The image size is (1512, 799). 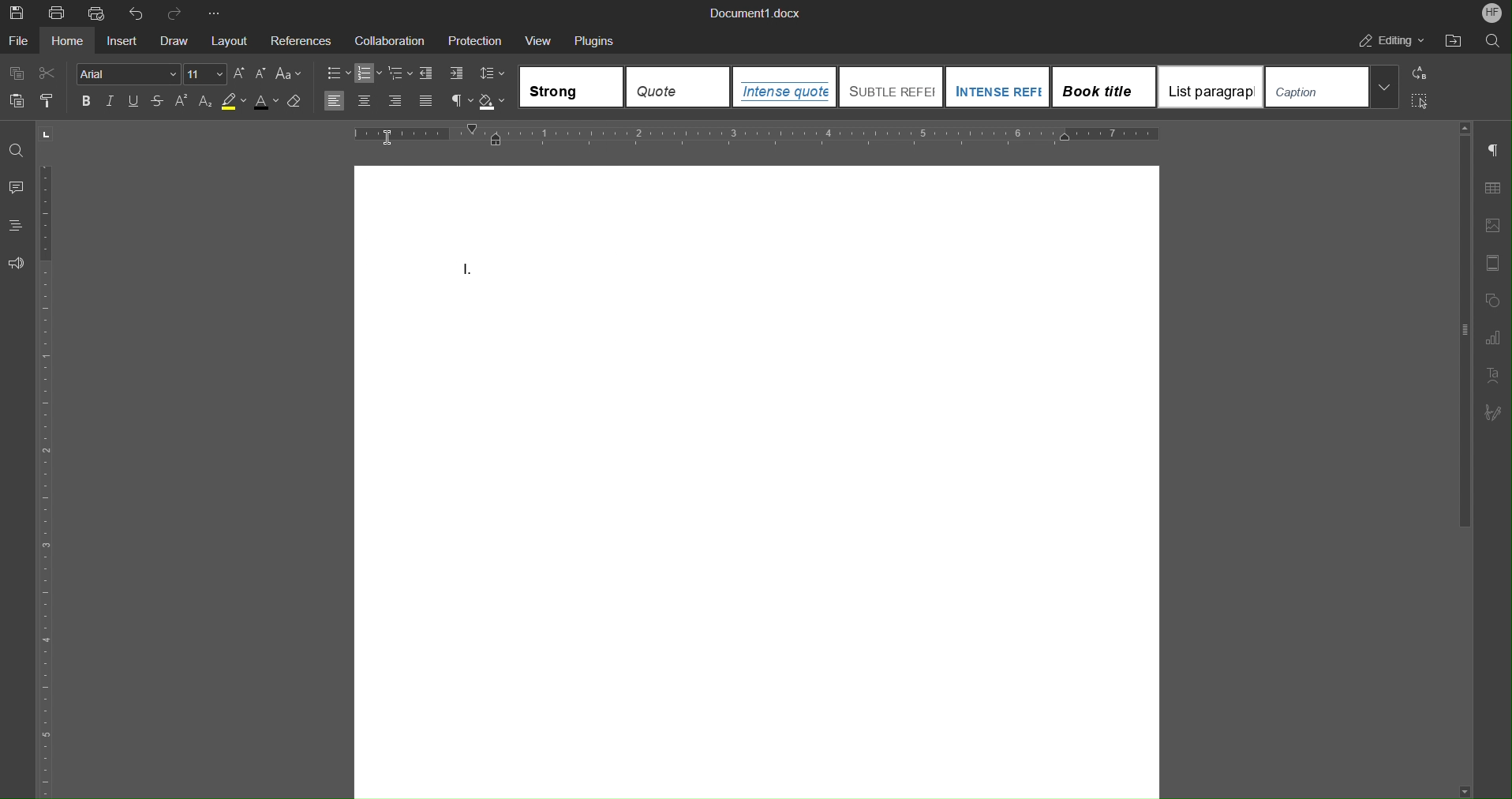 What do you see at coordinates (1492, 150) in the screenshot?
I see `Non-Printing Character` at bounding box center [1492, 150].